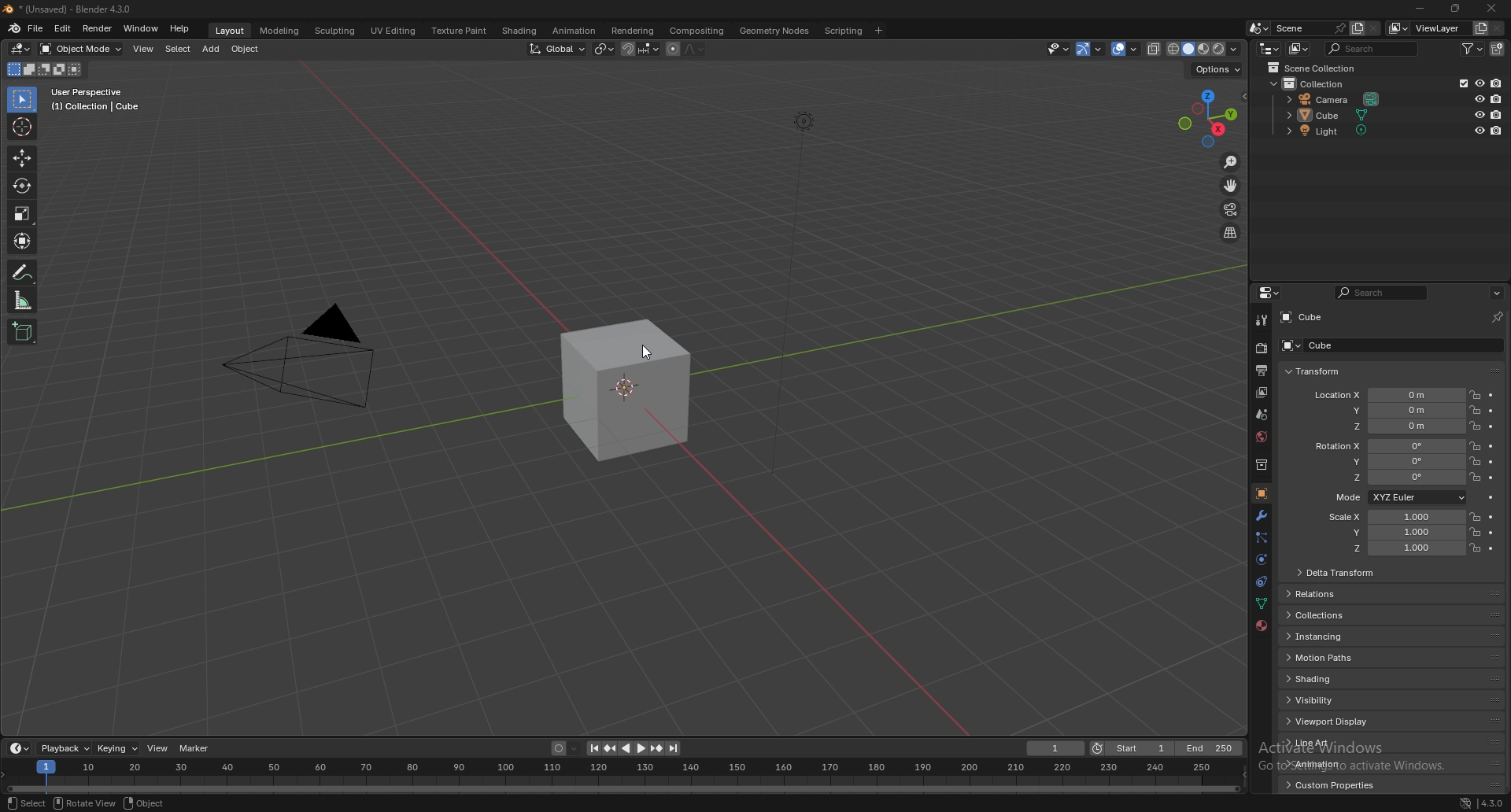  Describe the element at coordinates (657, 748) in the screenshot. I see `jump to keyframe` at that location.